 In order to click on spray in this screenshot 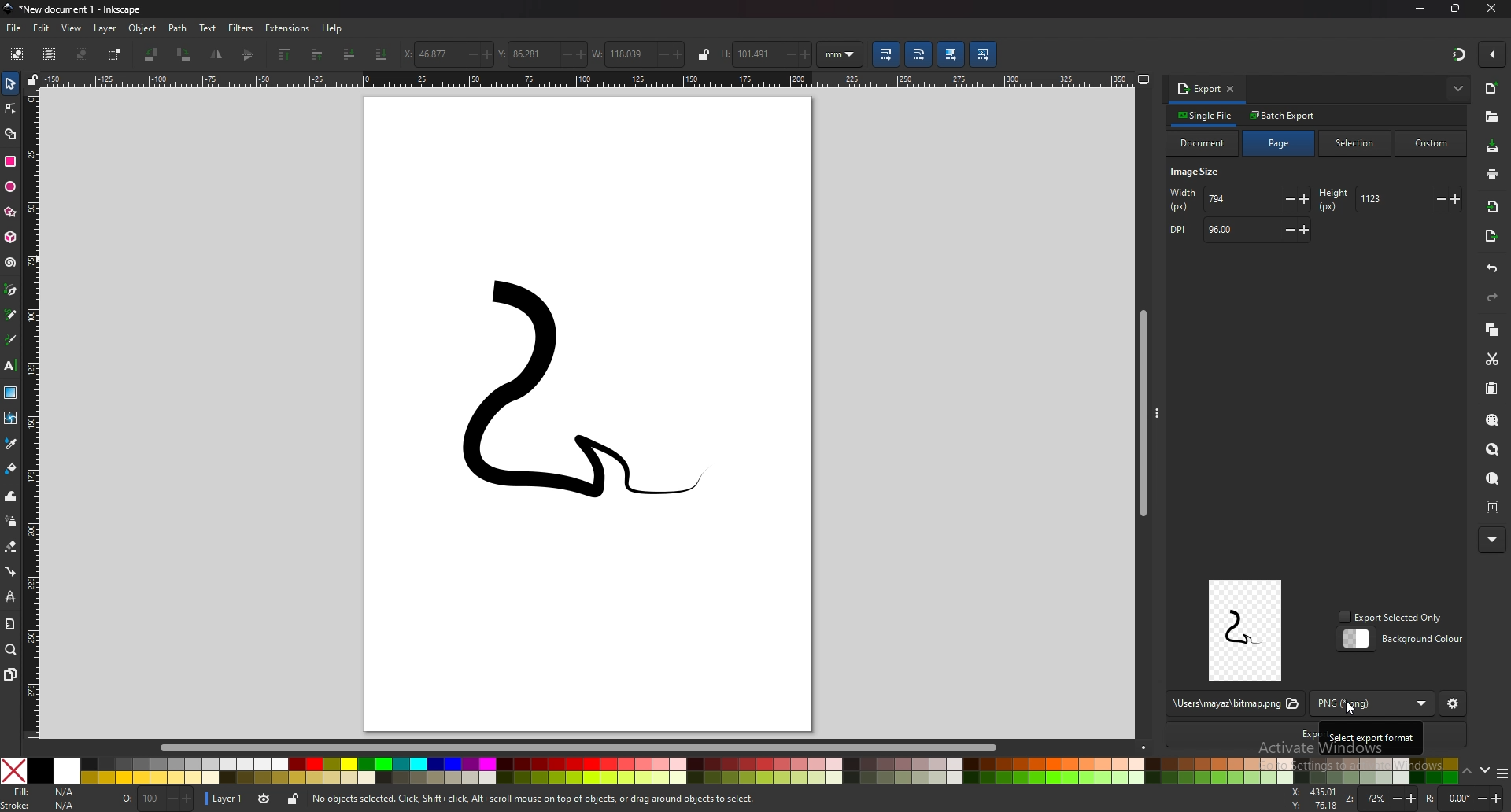, I will do `click(10, 521)`.